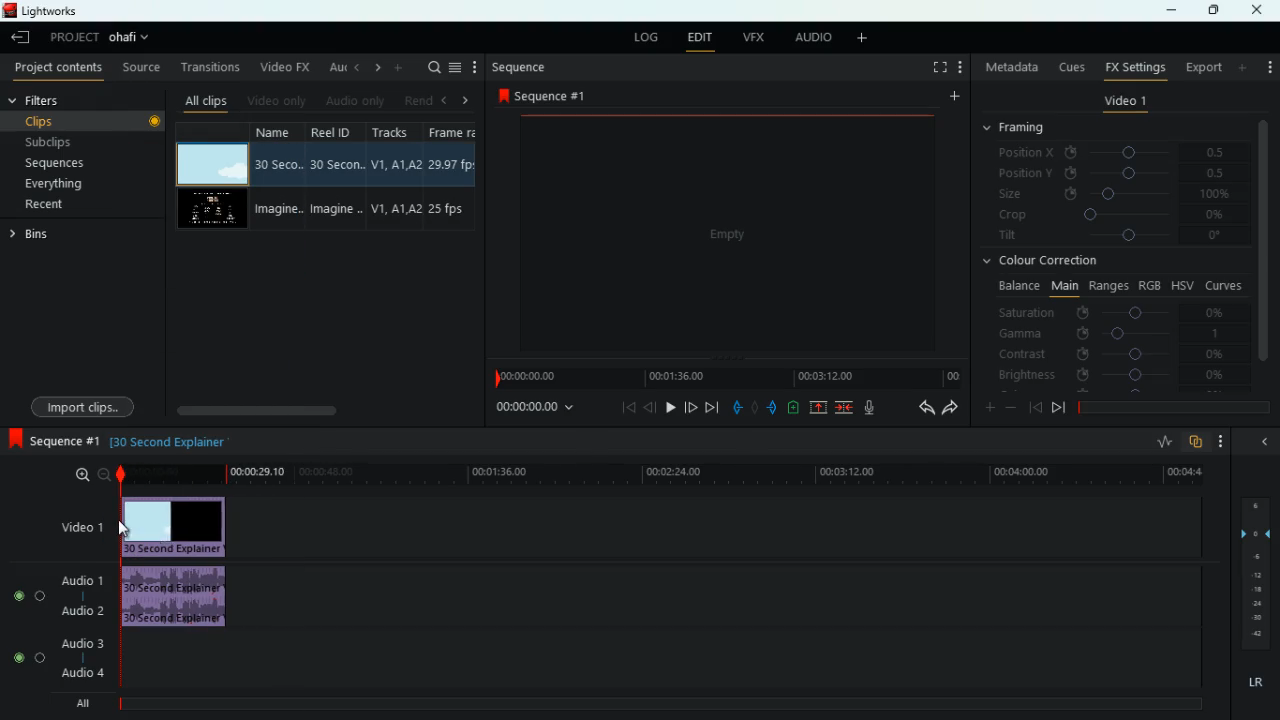 The width and height of the screenshot is (1280, 720). What do you see at coordinates (1171, 12) in the screenshot?
I see `minimize` at bounding box center [1171, 12].